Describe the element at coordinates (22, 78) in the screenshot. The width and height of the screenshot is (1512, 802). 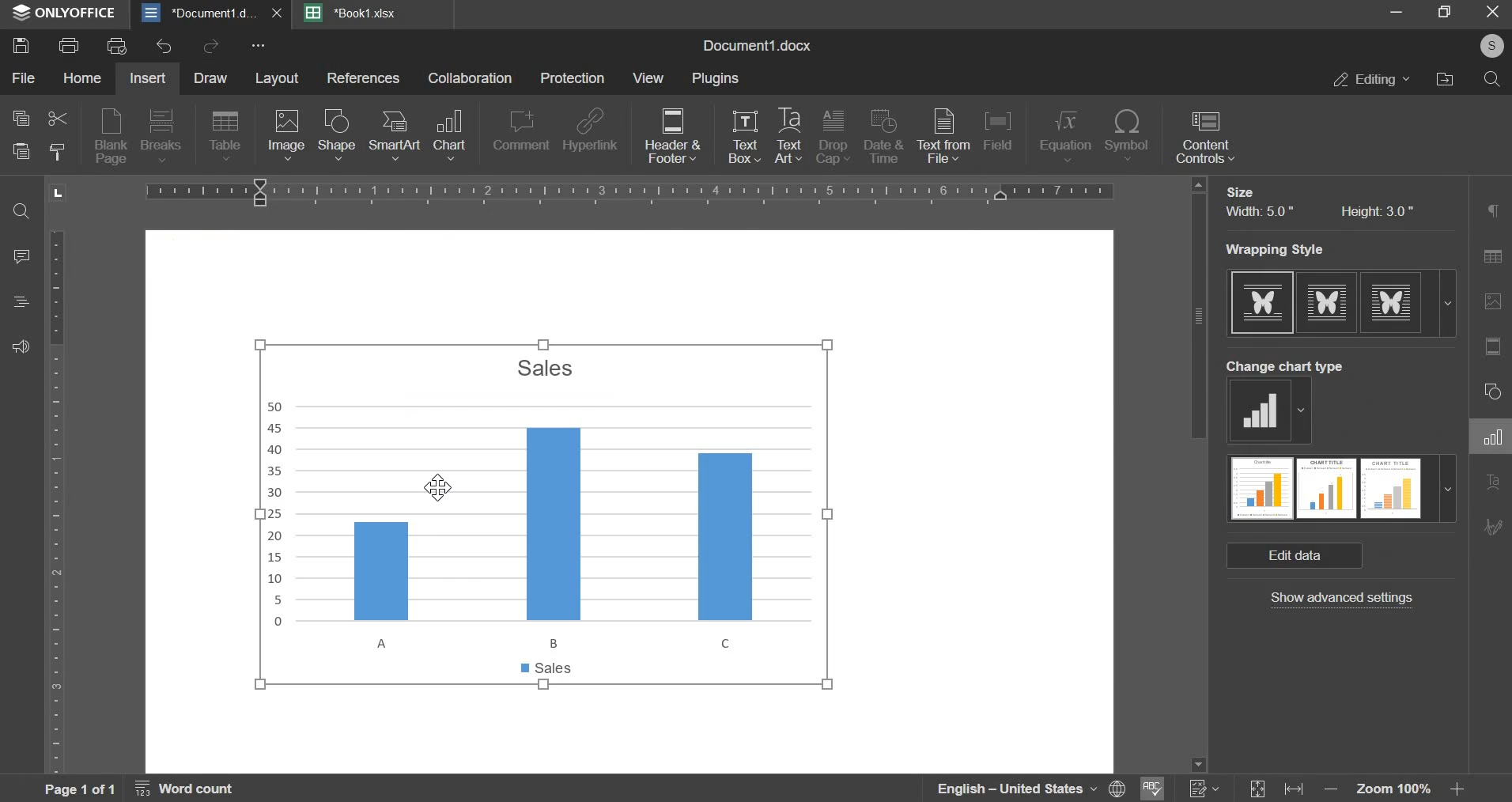
I see `file` at that location.